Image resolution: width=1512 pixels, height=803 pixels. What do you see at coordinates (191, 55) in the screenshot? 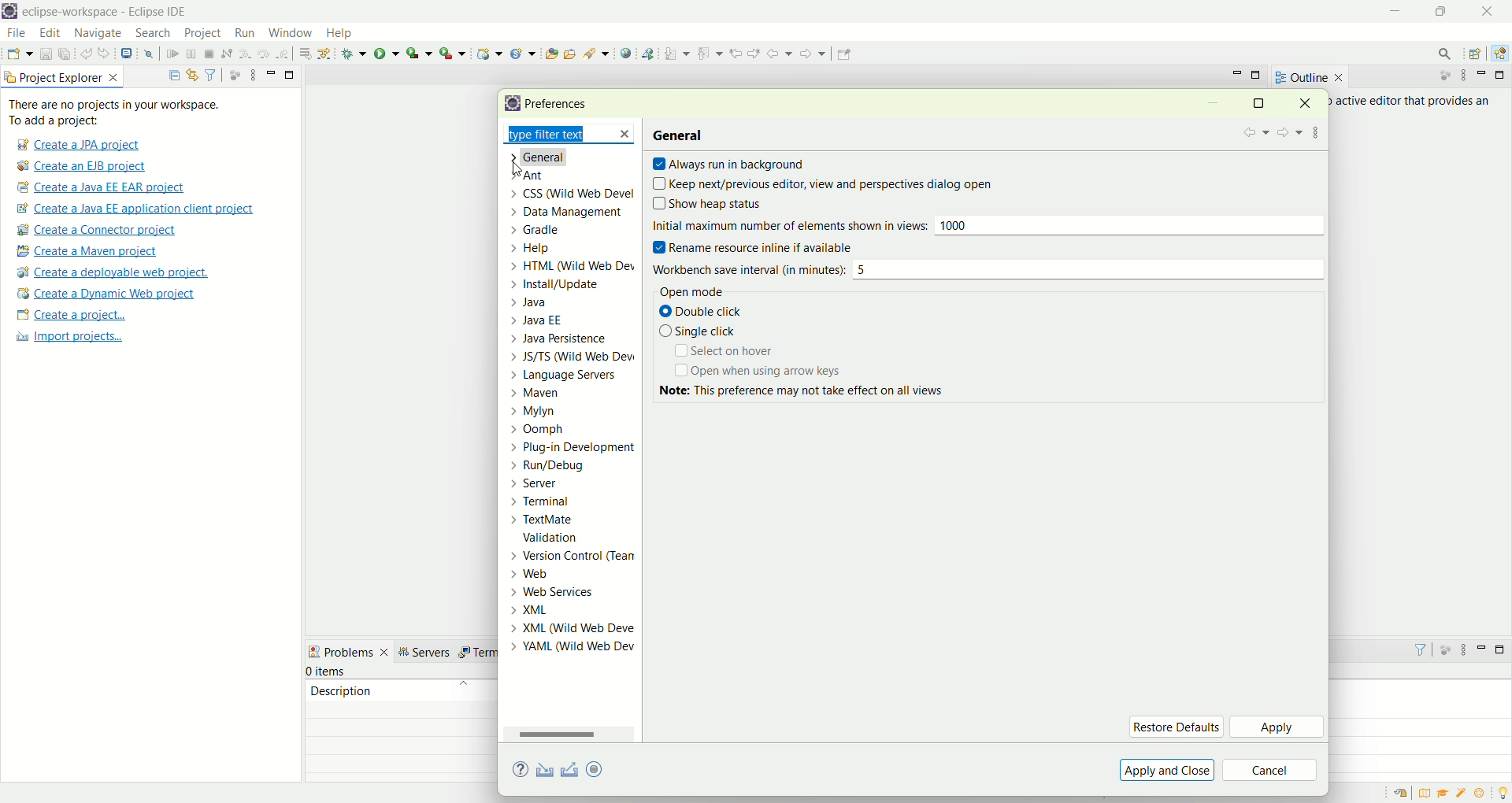
I see `suspend` at bounding box center [191, 55].